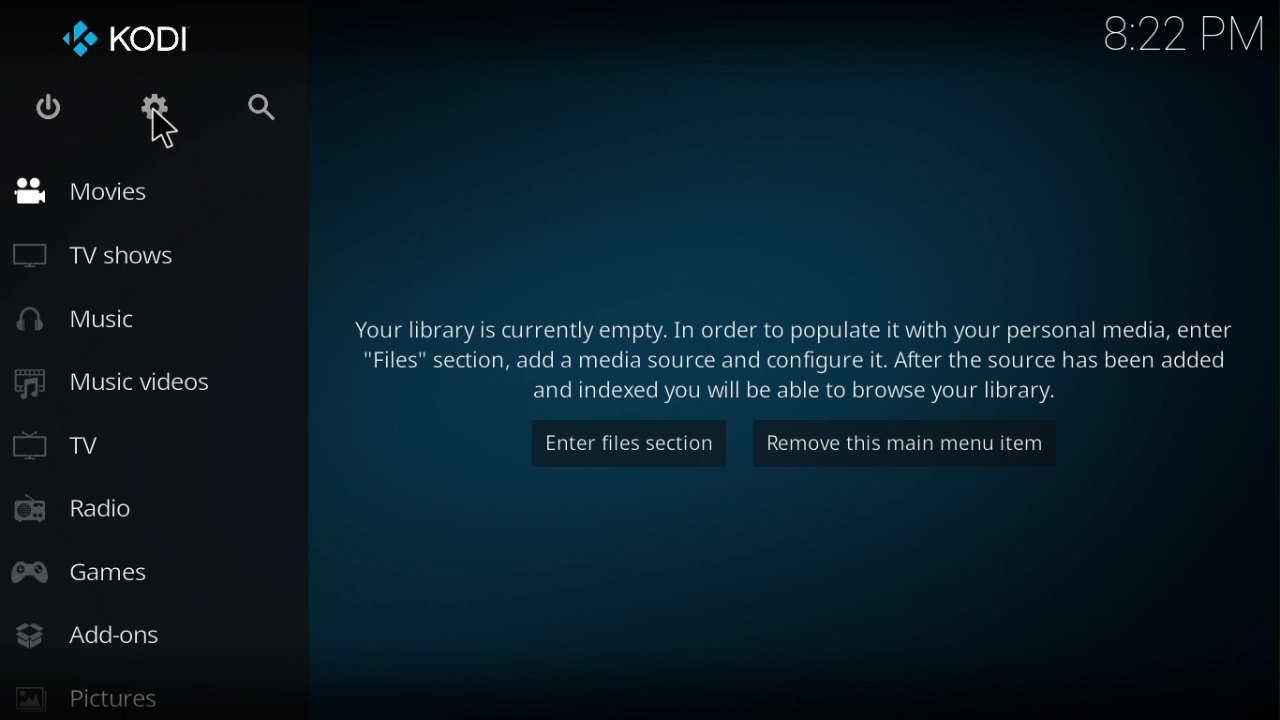  What do you see at coordinates (115, 382) in the screenshot?
I see `music videos` at bounding box center [115, 382].